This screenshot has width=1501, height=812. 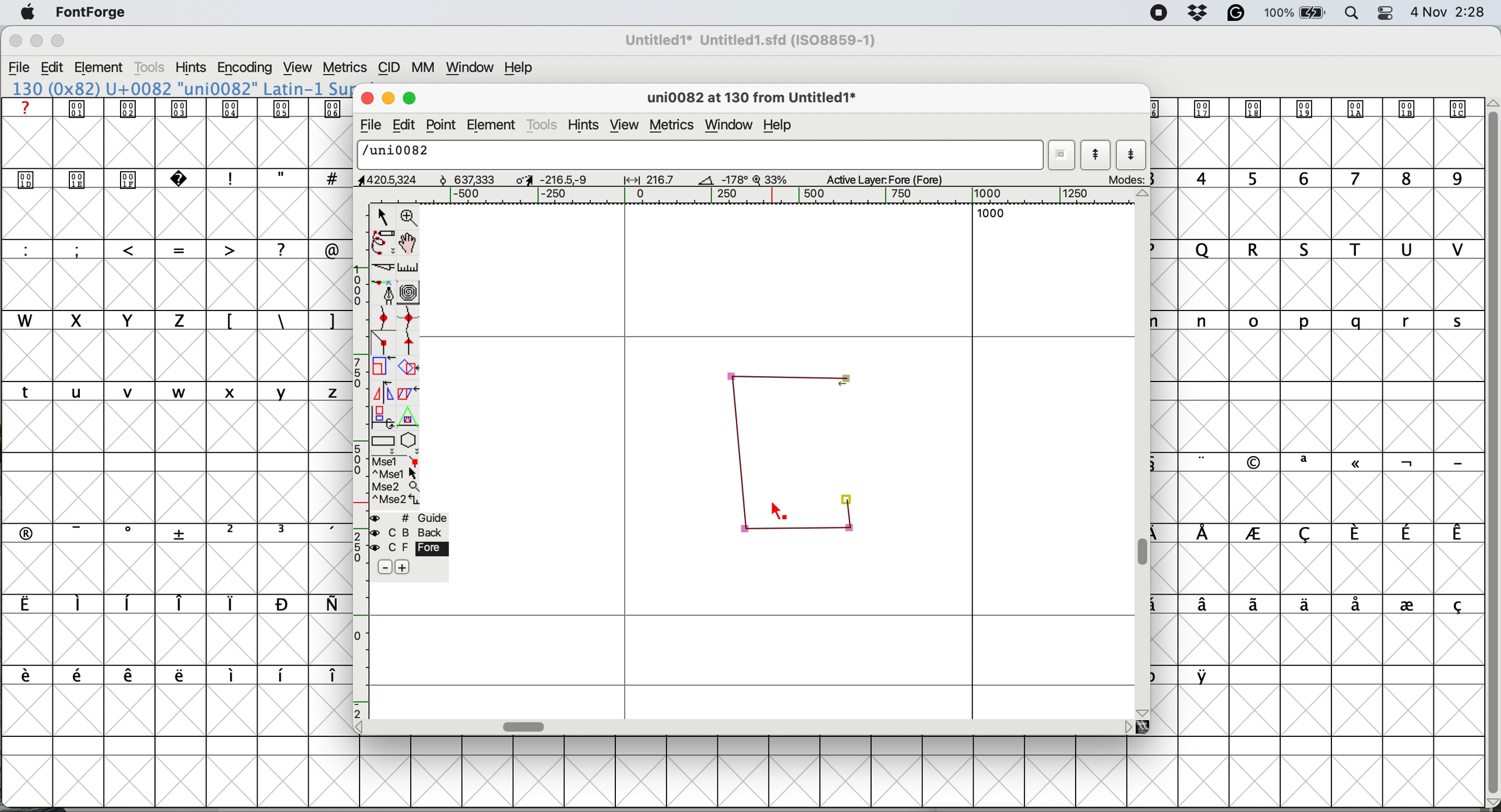 What do you see at coordinates (181, 676) in the screenshot?
I see `symbols` at bounding box center [181, 676].